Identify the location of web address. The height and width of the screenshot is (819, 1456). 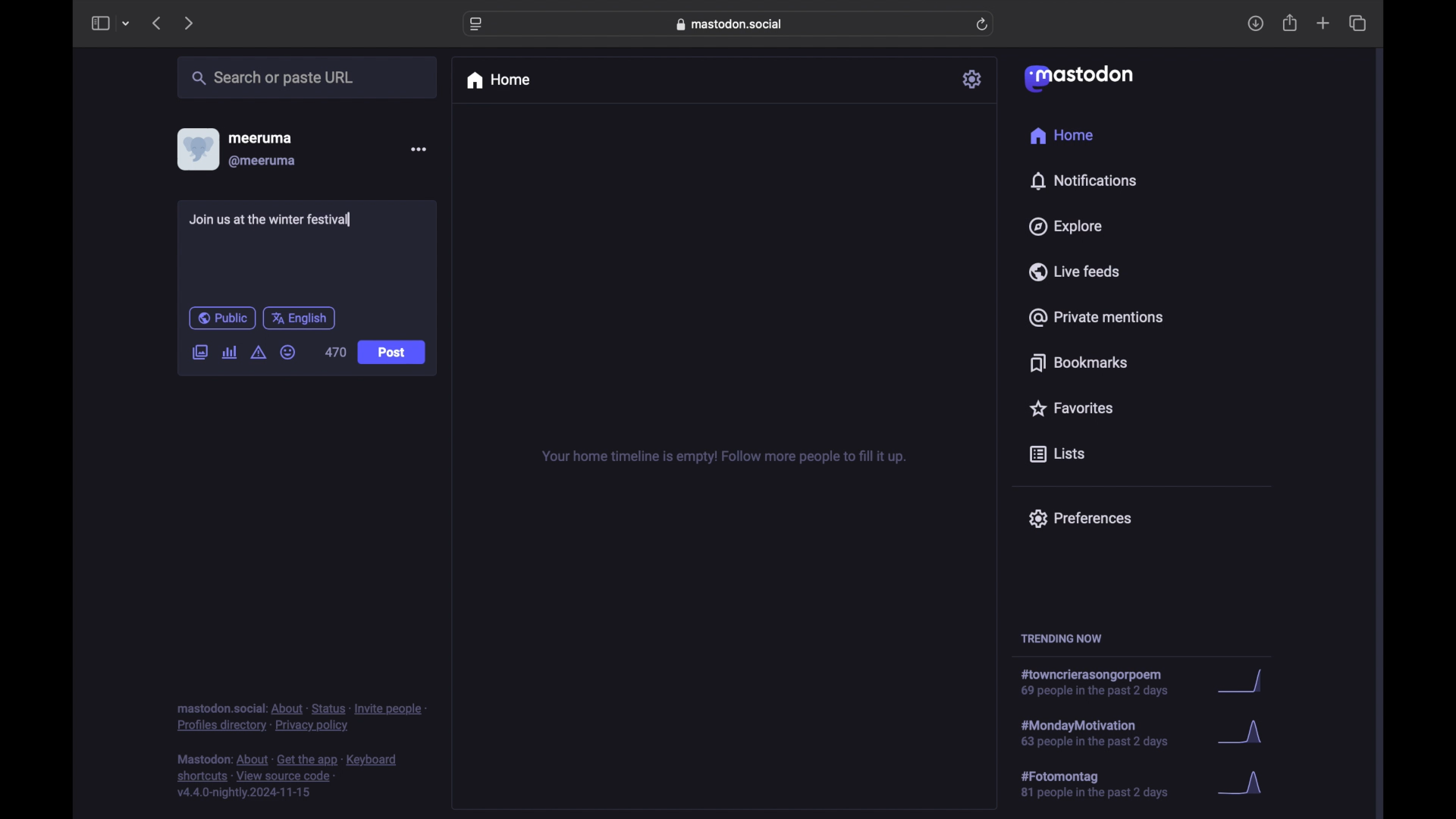
(733, 24).